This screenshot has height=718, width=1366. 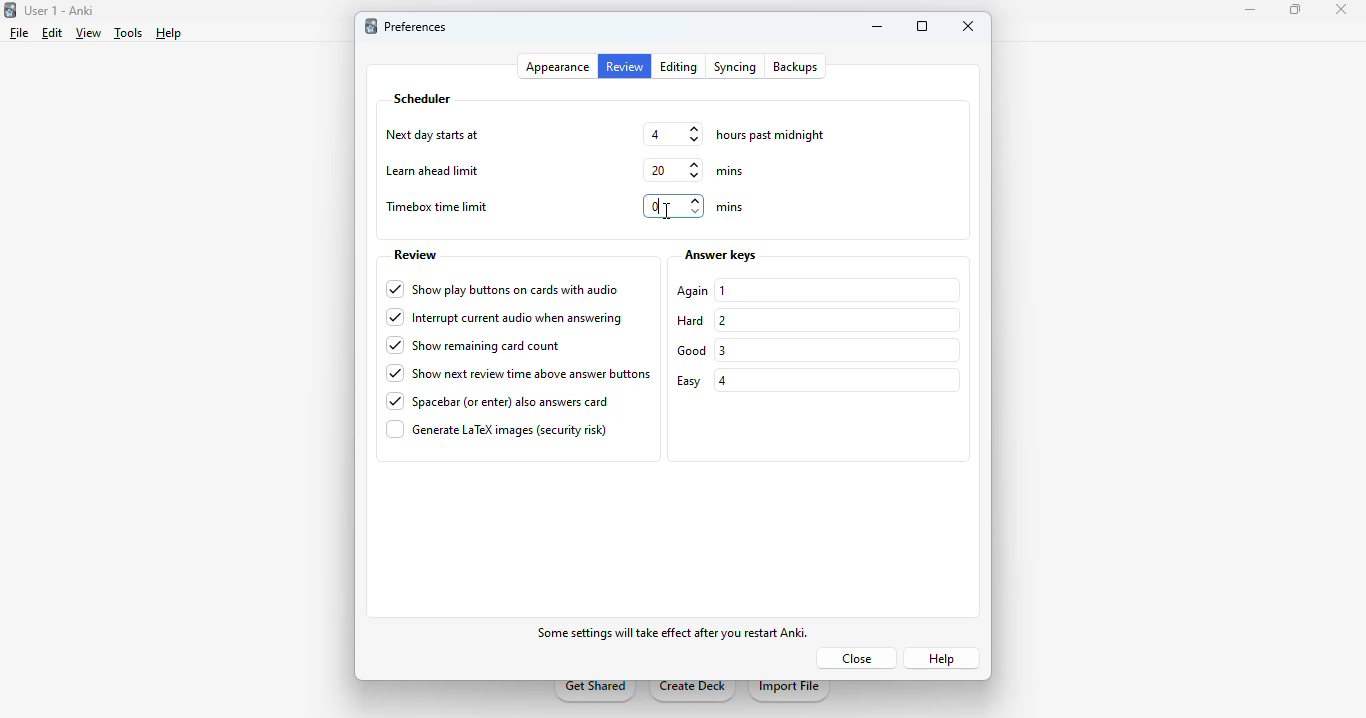 What do you see at coordinates (440, 208) in the screenshot?
I see `timebox time limit` at bounding box center [440, 208].